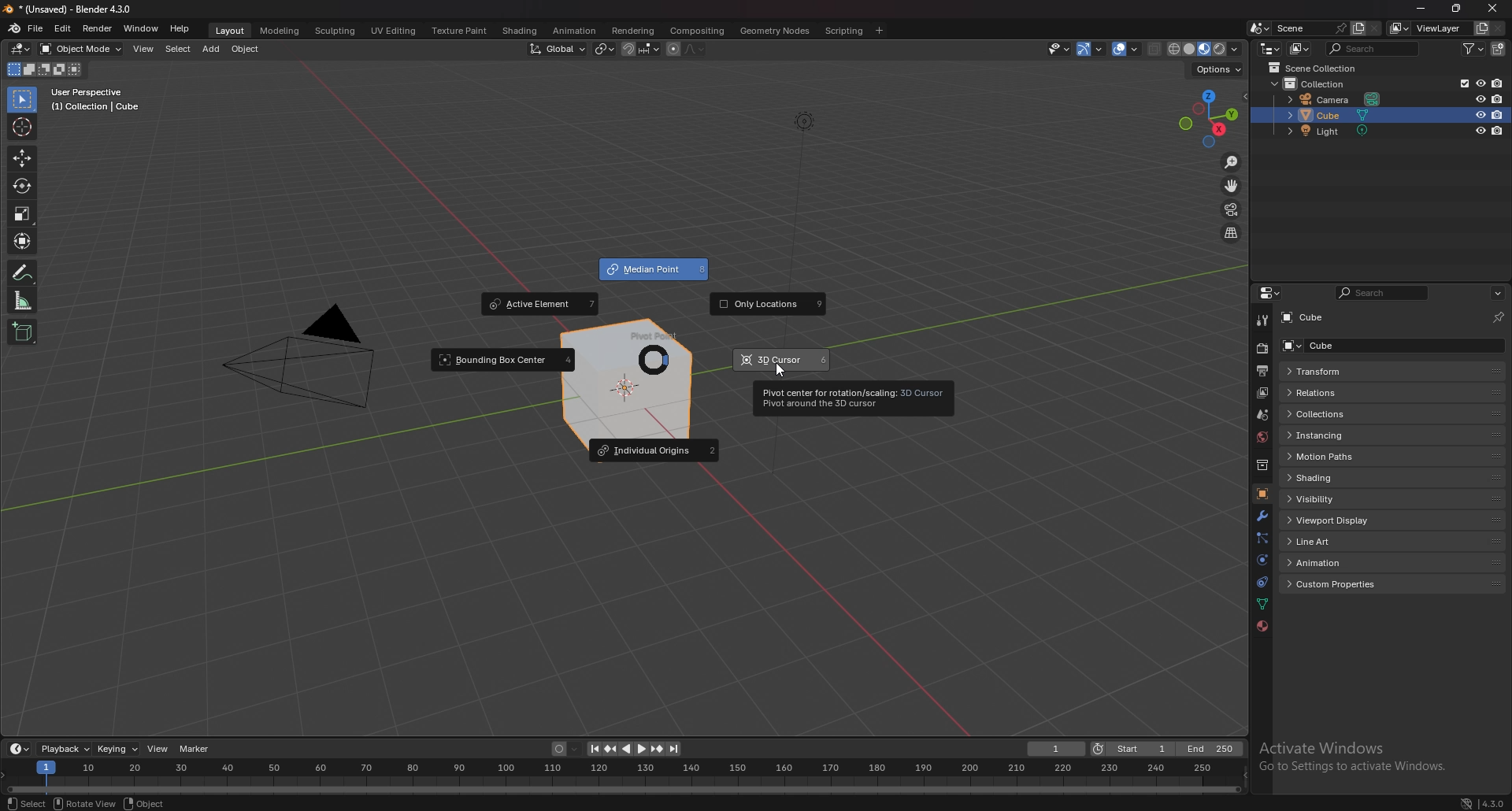 This screenshot has height=811, width=1512. Describe the element at coordinates (180, 28) in the screenshot. I see `help` at that location.